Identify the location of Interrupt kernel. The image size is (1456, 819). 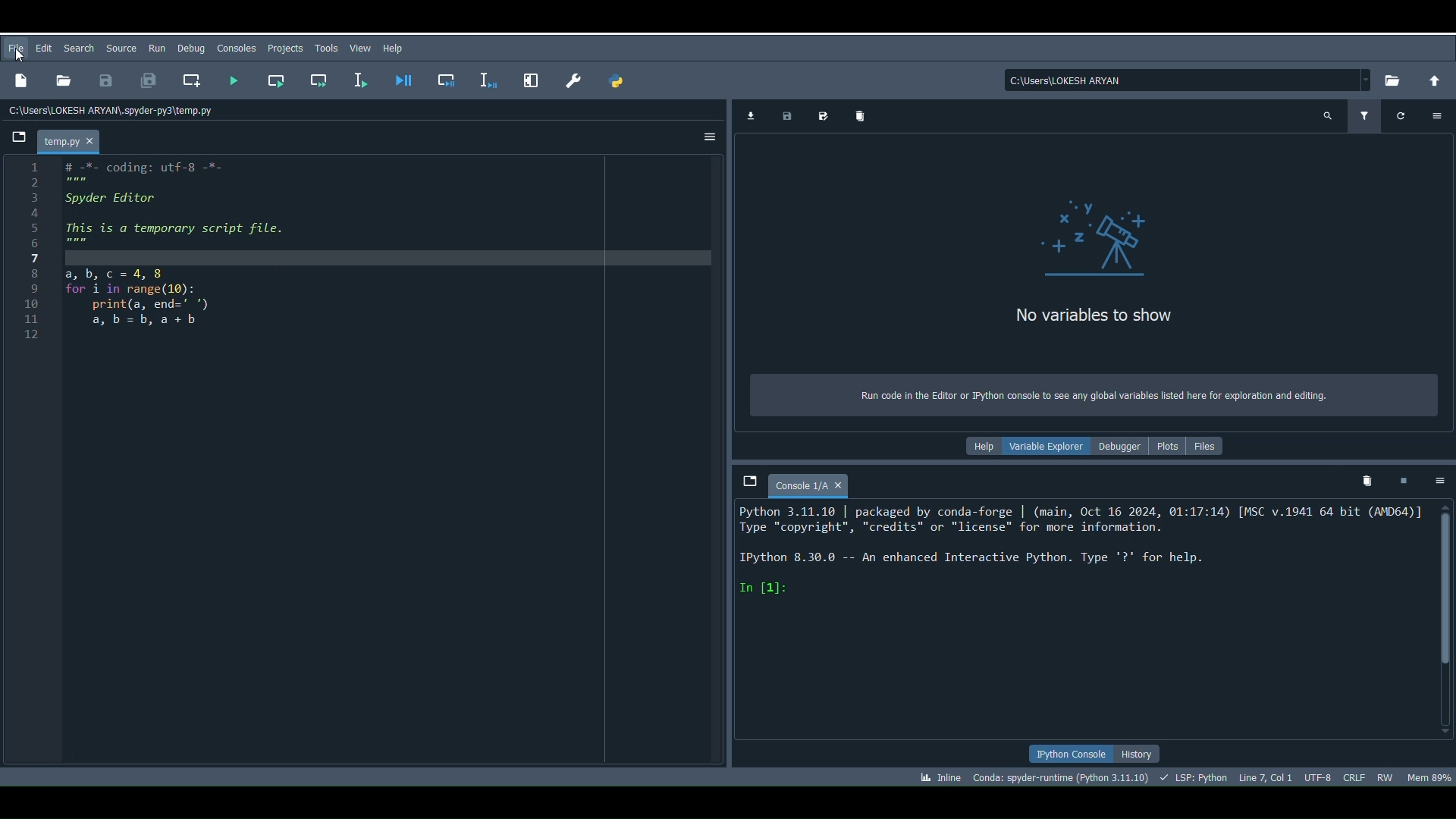
(1401, 482).